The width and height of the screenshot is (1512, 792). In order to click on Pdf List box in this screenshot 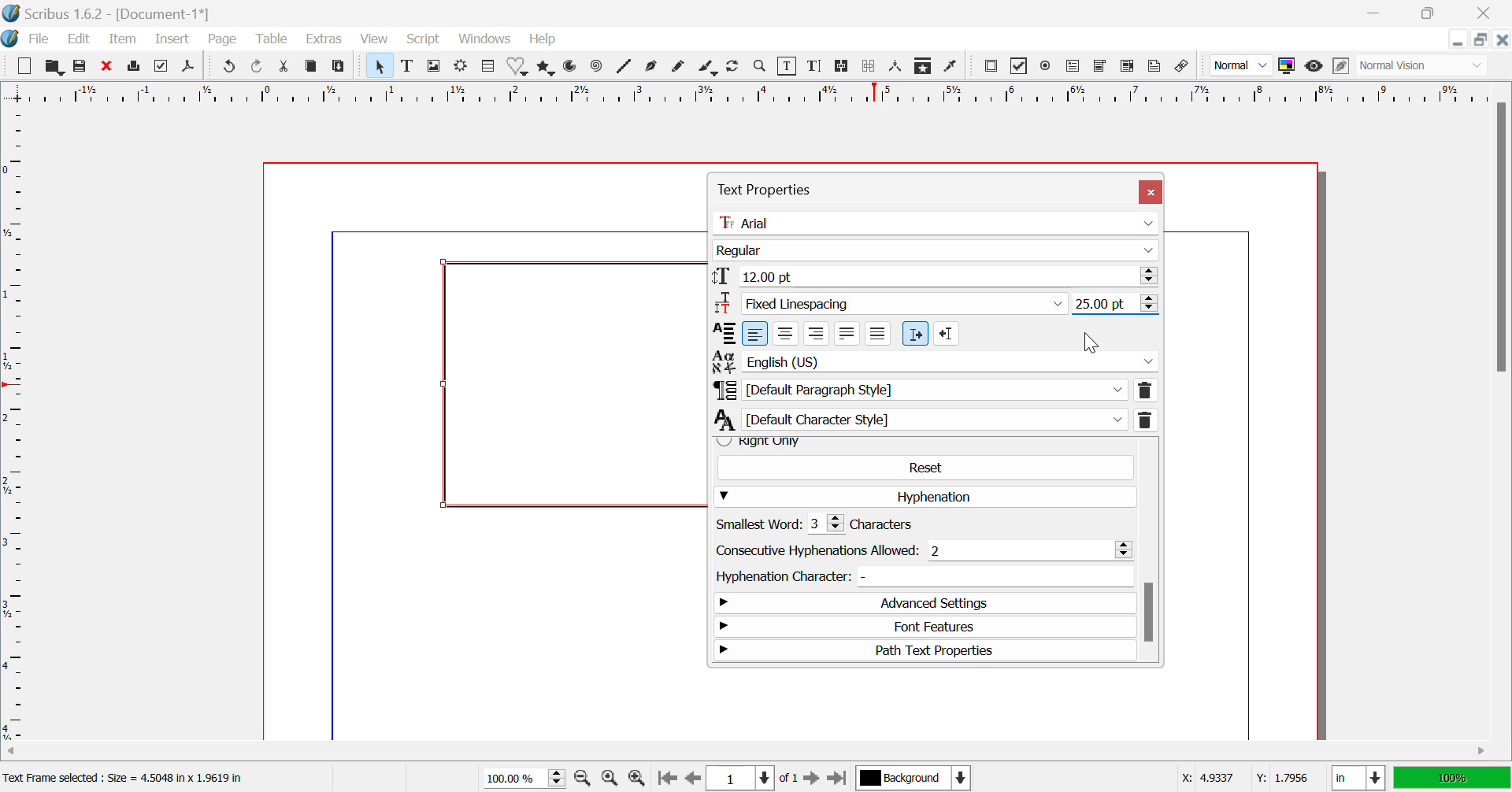, I will do `click(1125, 67)`.